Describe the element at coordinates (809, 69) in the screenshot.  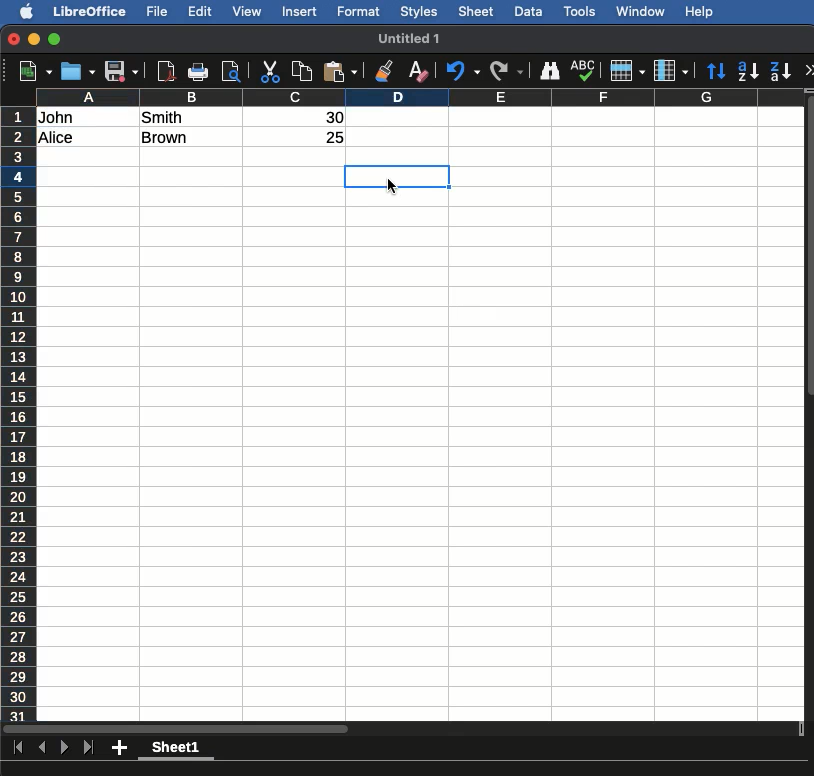
I see `More` at that location.